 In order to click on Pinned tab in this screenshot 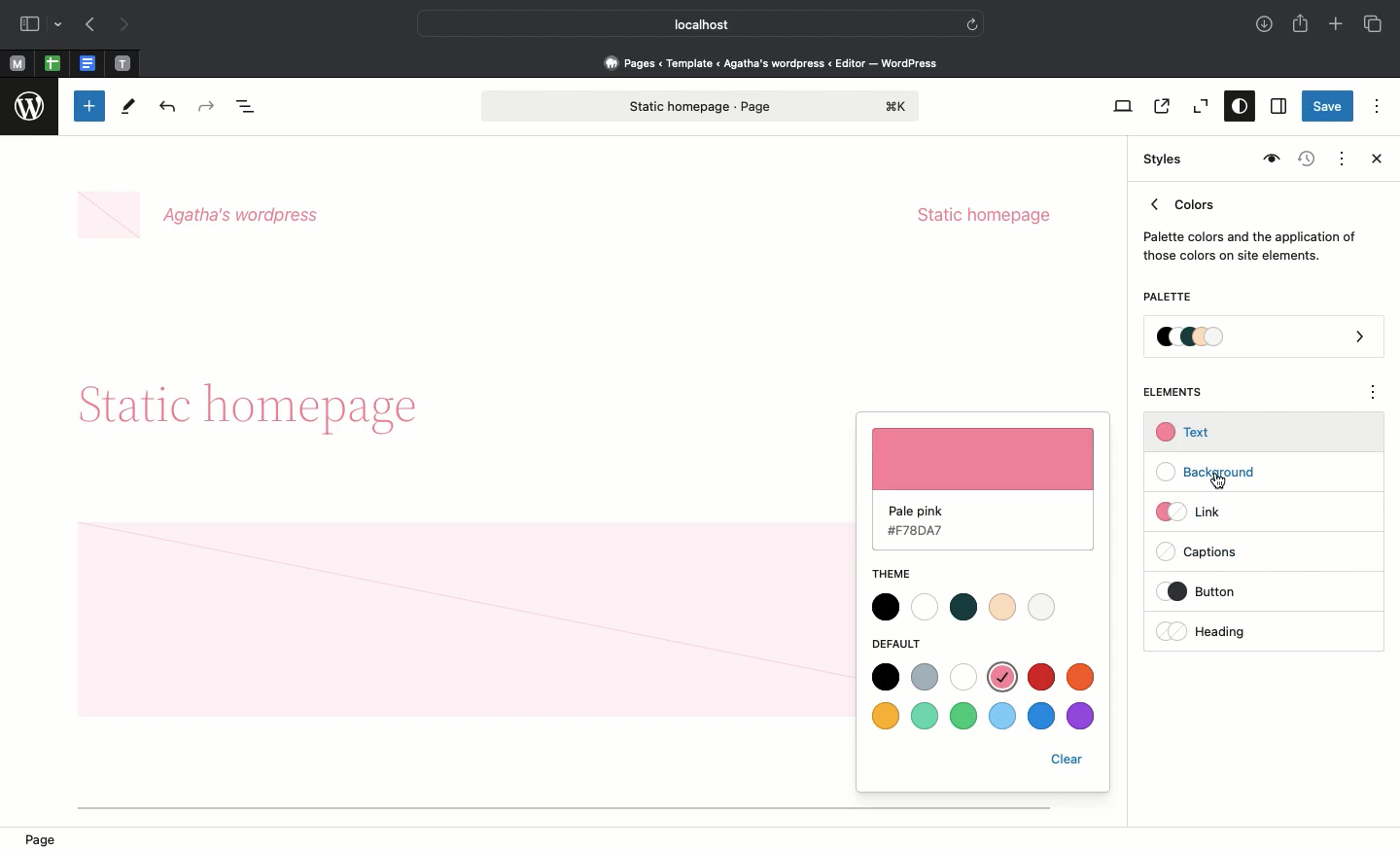, I will do `click(17, 64)`.